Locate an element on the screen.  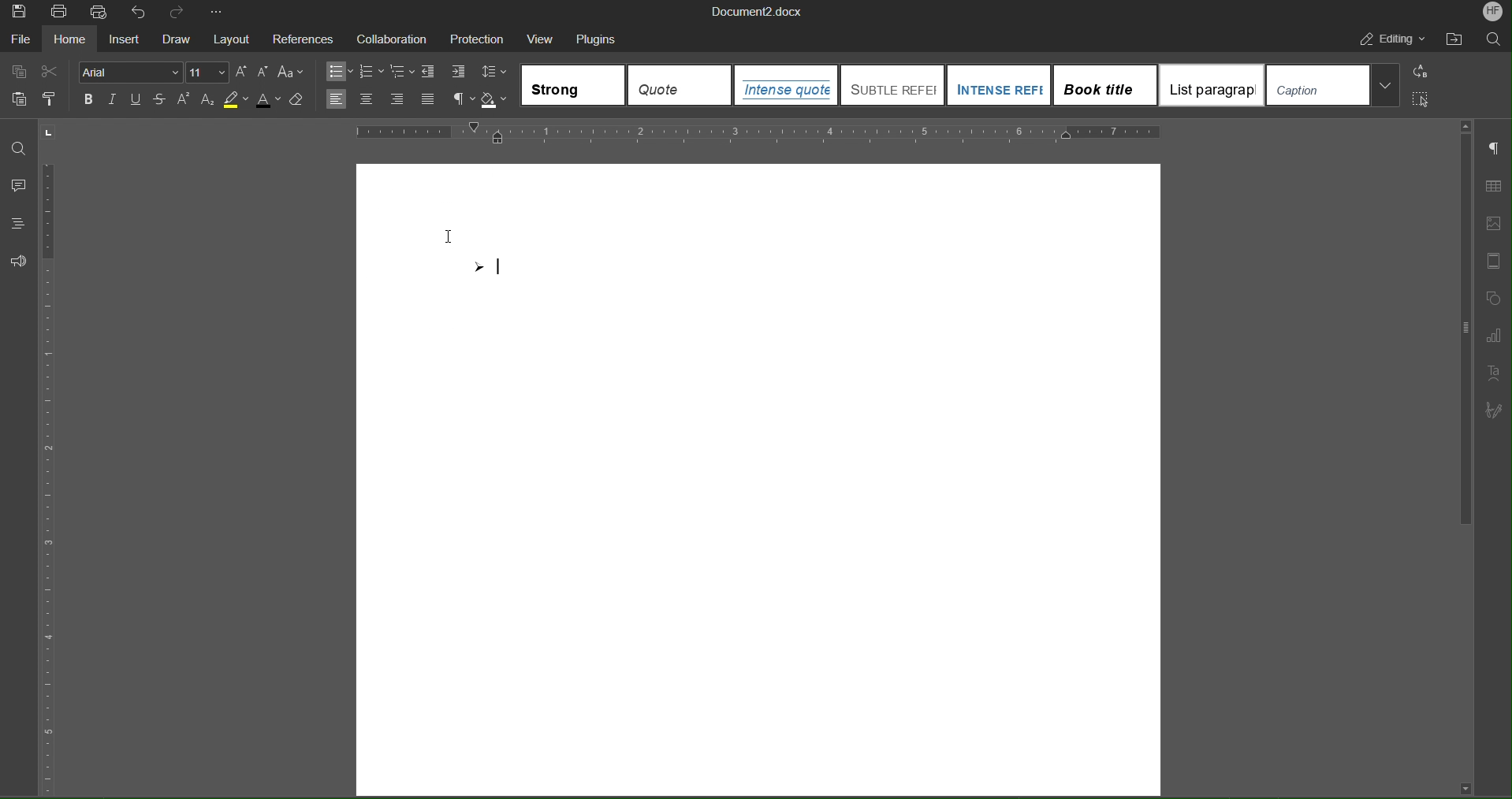
File is located at coordinates (22, 41).